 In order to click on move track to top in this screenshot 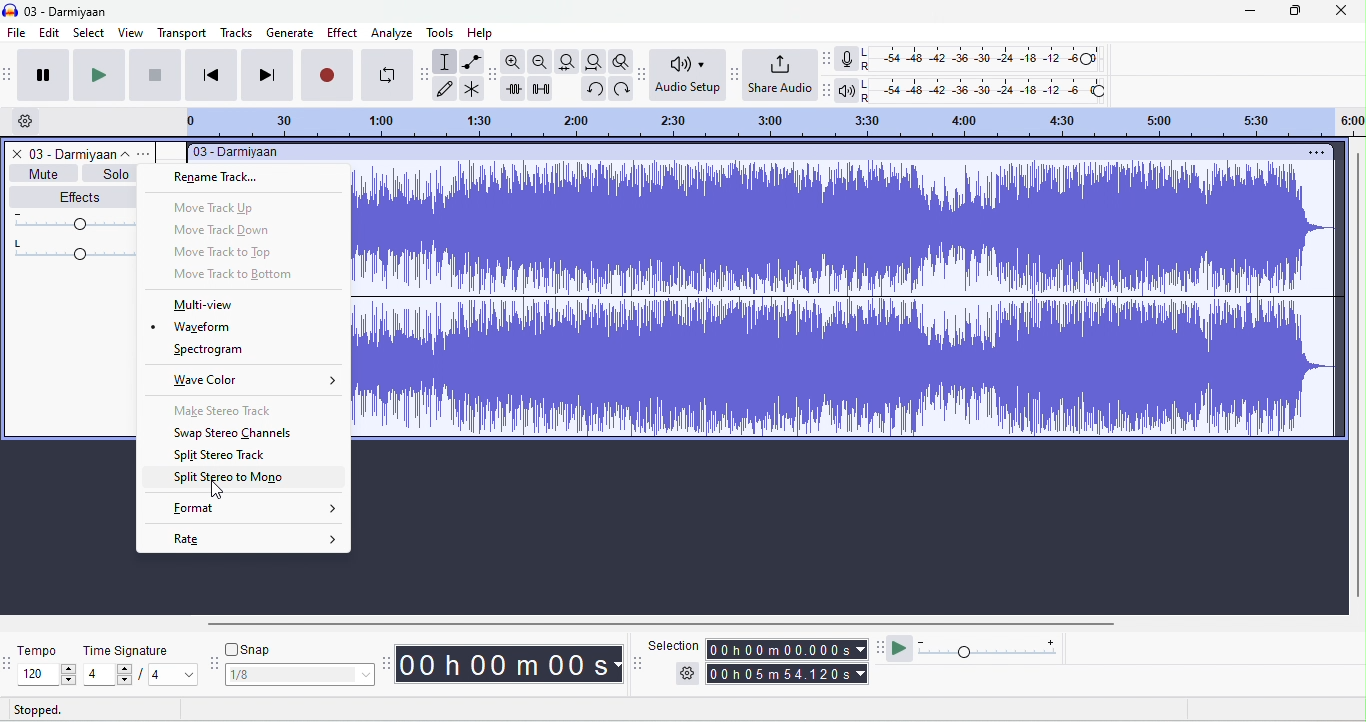, I will do `click(250, 253)`.